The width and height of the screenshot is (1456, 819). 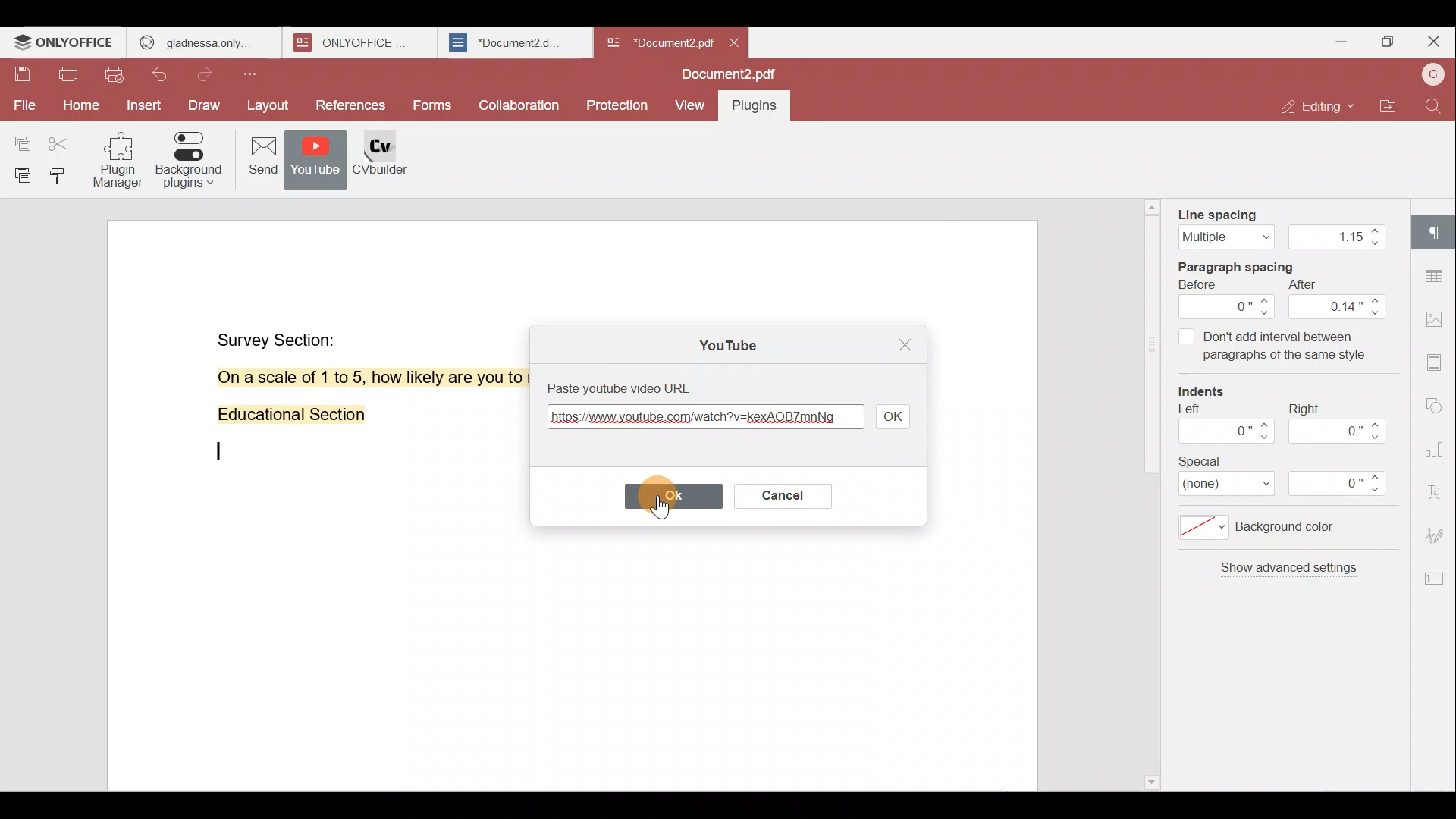 I want to click on Background plugins, so click(x=188, y=160).